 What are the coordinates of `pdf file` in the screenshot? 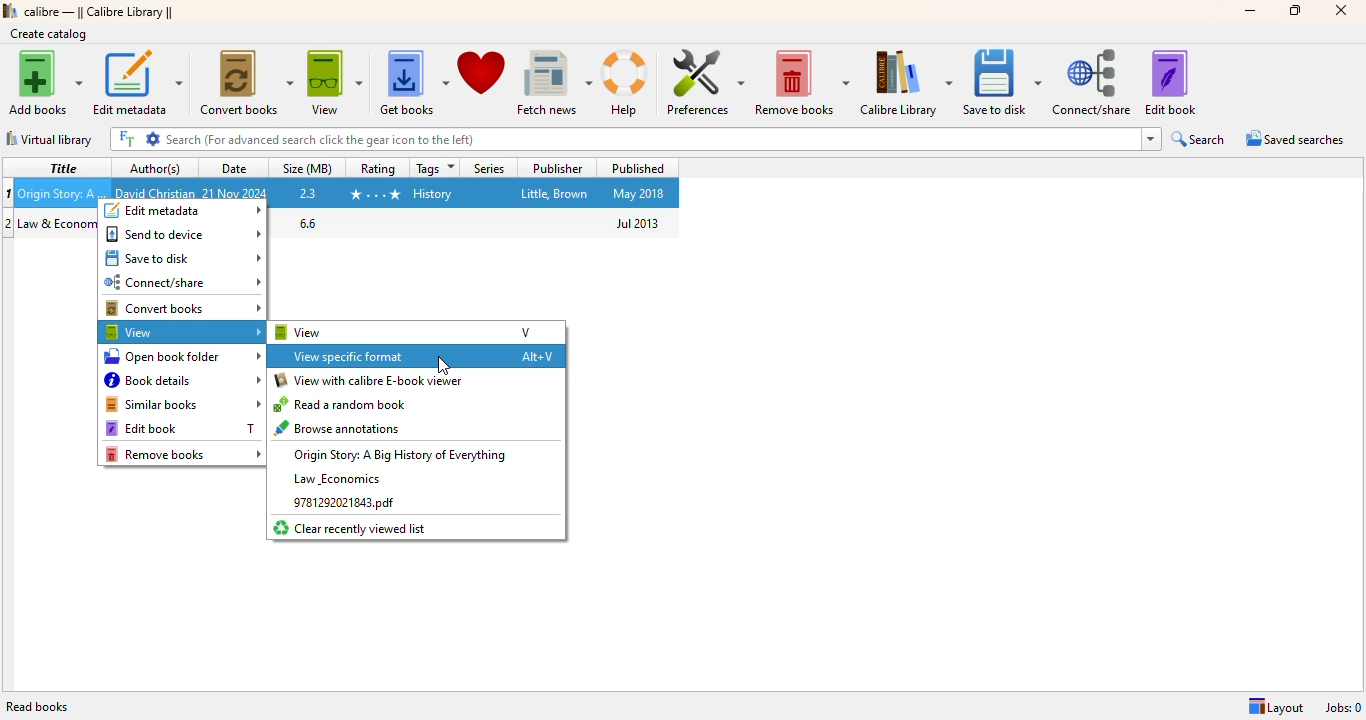 It's located at (342, 503).